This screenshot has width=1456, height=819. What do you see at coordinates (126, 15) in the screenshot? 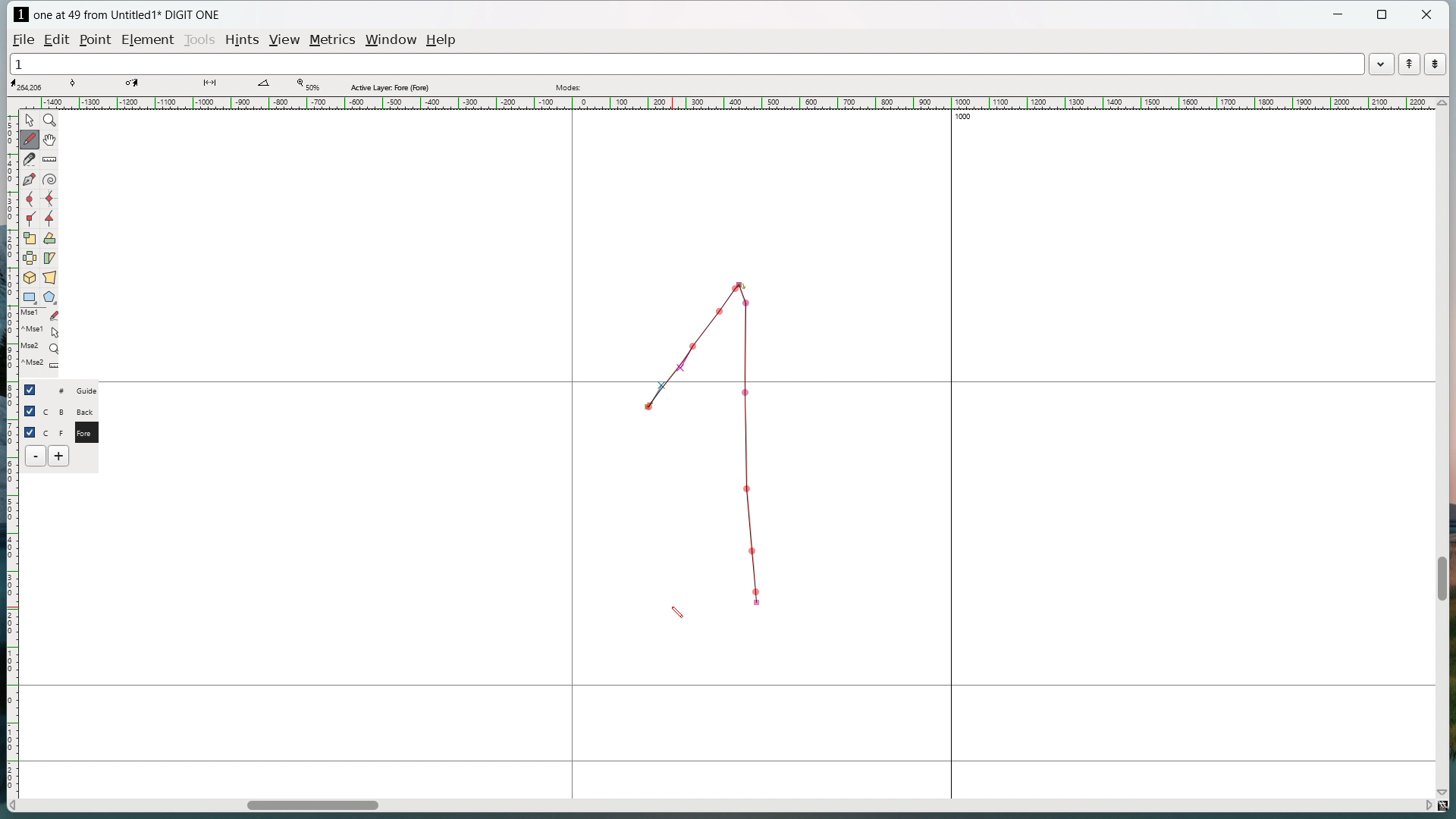
I see `one at 49 from Untitled1 DIGIT ONE` at bounding box center [126, 15].